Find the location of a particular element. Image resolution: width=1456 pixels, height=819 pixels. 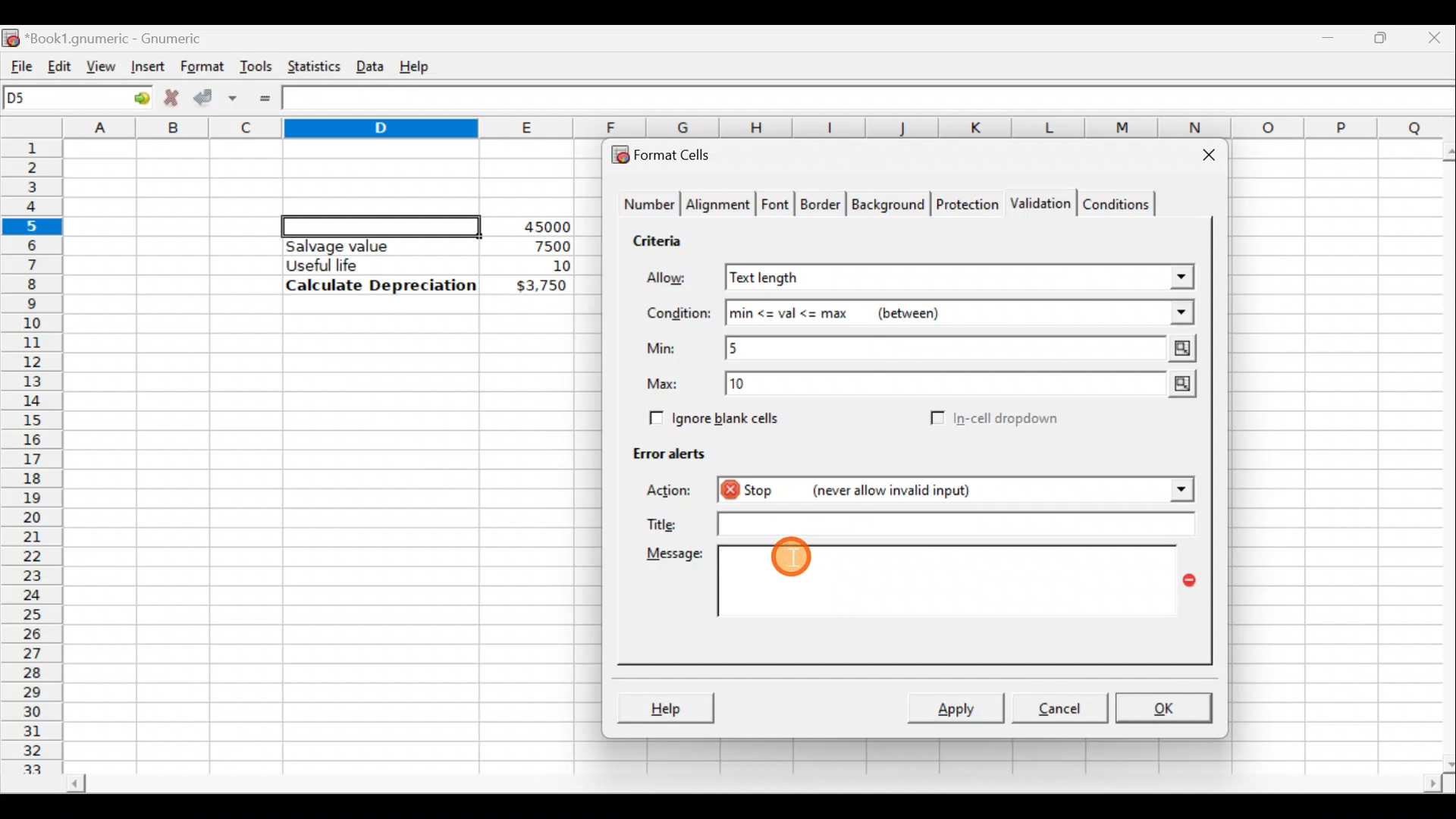

File is located at coordinates (17, 63).